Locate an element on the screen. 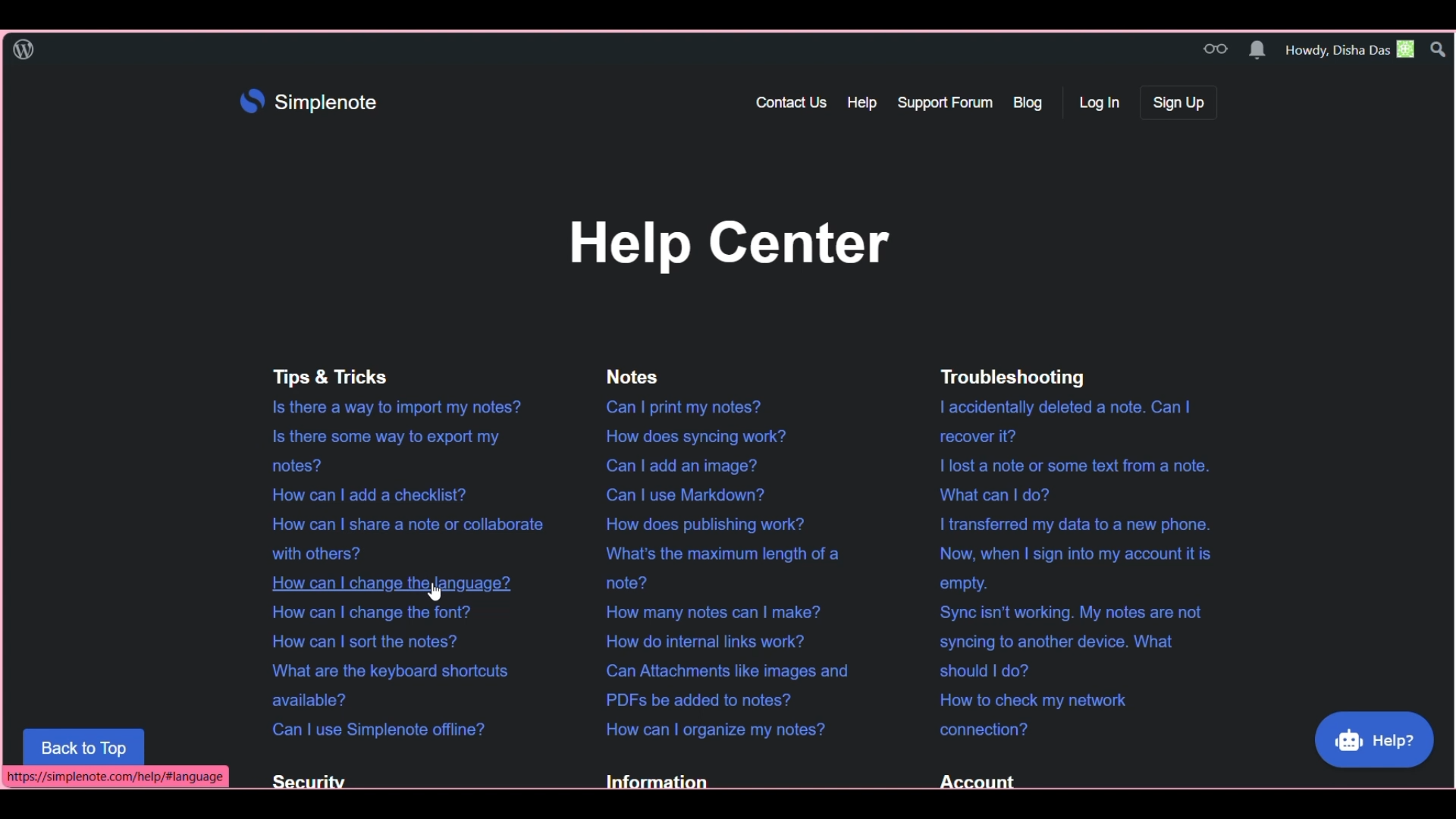 Image resolution: width=1456 pixels, height=819 pixels. Manage notifications on WordPress is located at coordinates (1257, 49).